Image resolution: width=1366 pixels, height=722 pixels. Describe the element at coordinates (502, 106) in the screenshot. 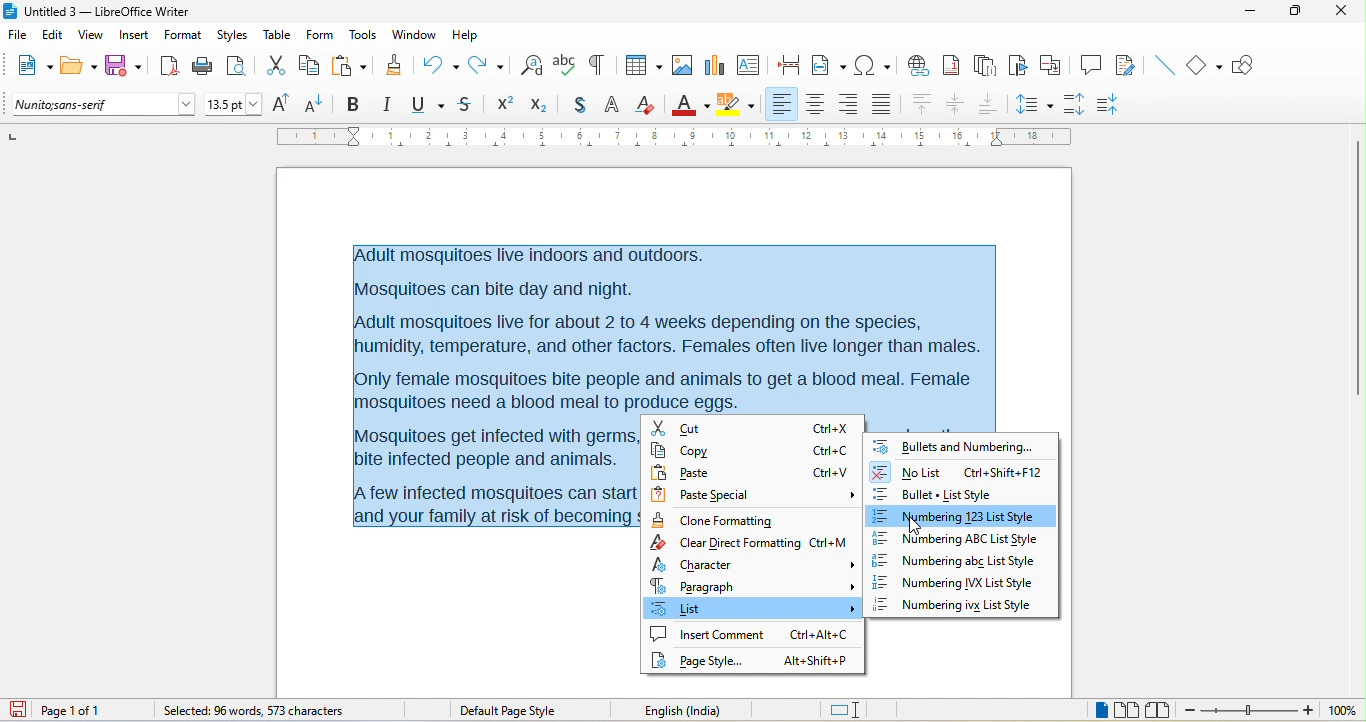

I see `Superscript` at that location.